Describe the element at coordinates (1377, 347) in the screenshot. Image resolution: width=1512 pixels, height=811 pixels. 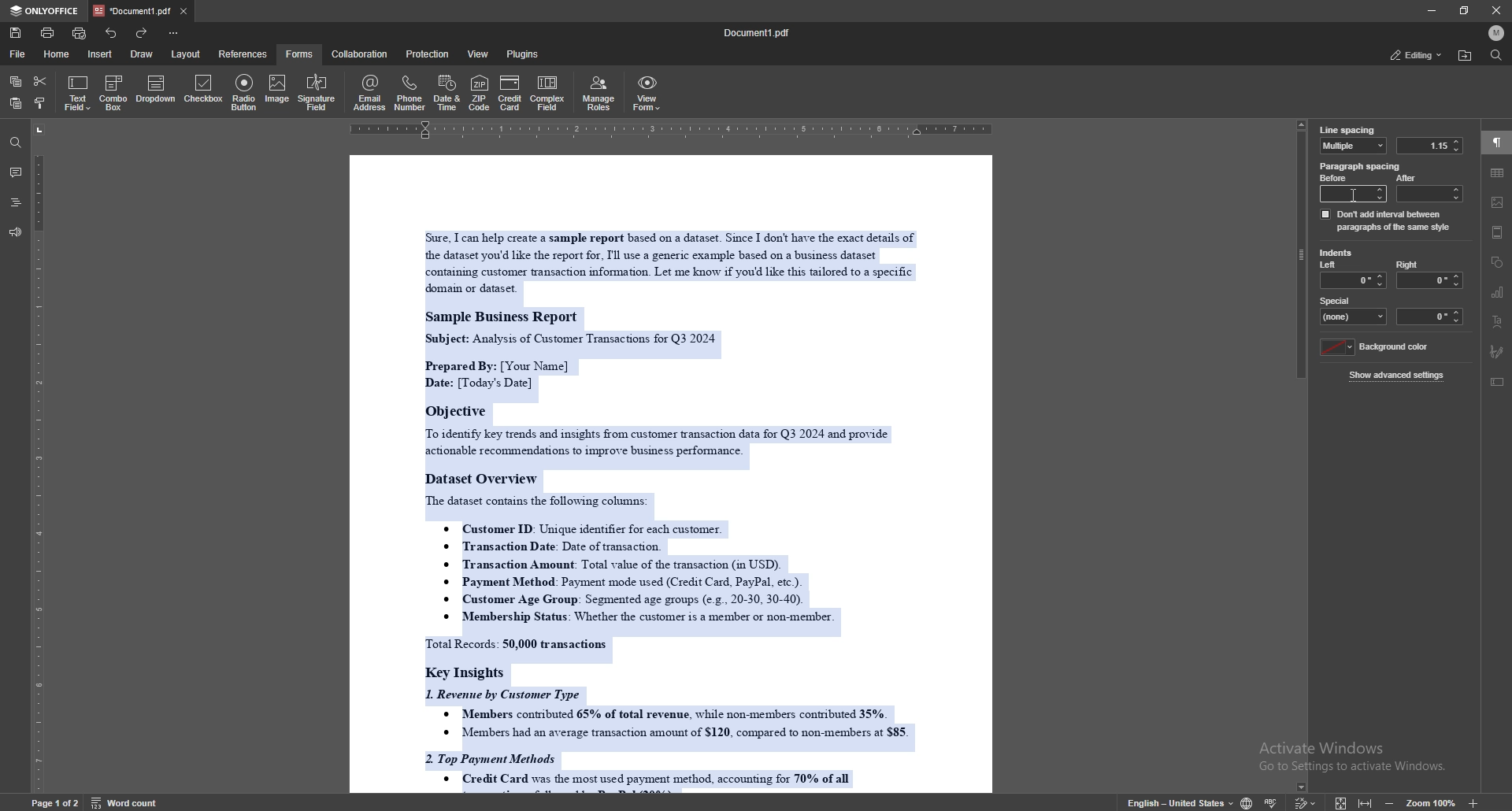
I see `background` at that location.